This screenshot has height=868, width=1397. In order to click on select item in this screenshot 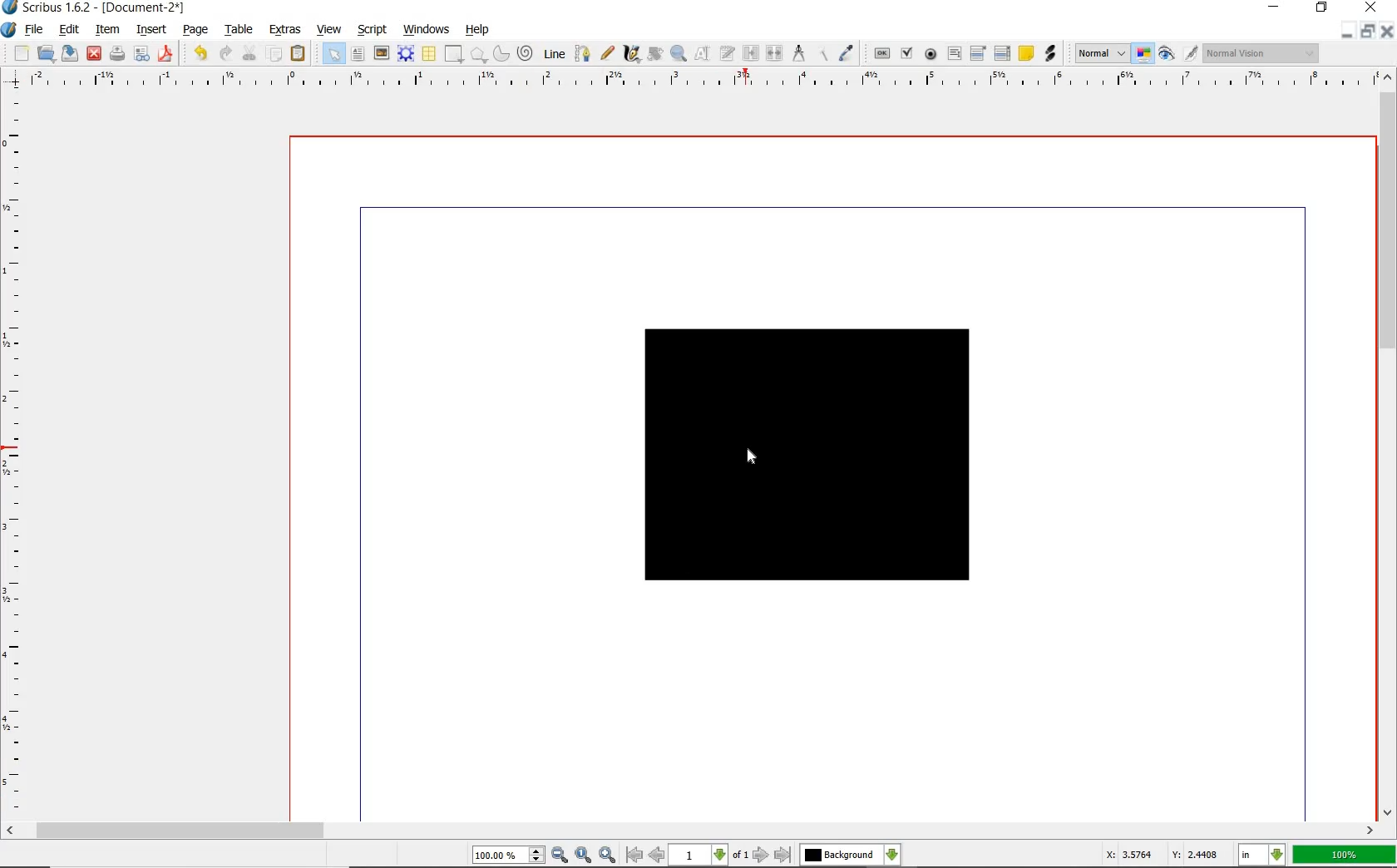, I will do `click(329, 54)`.